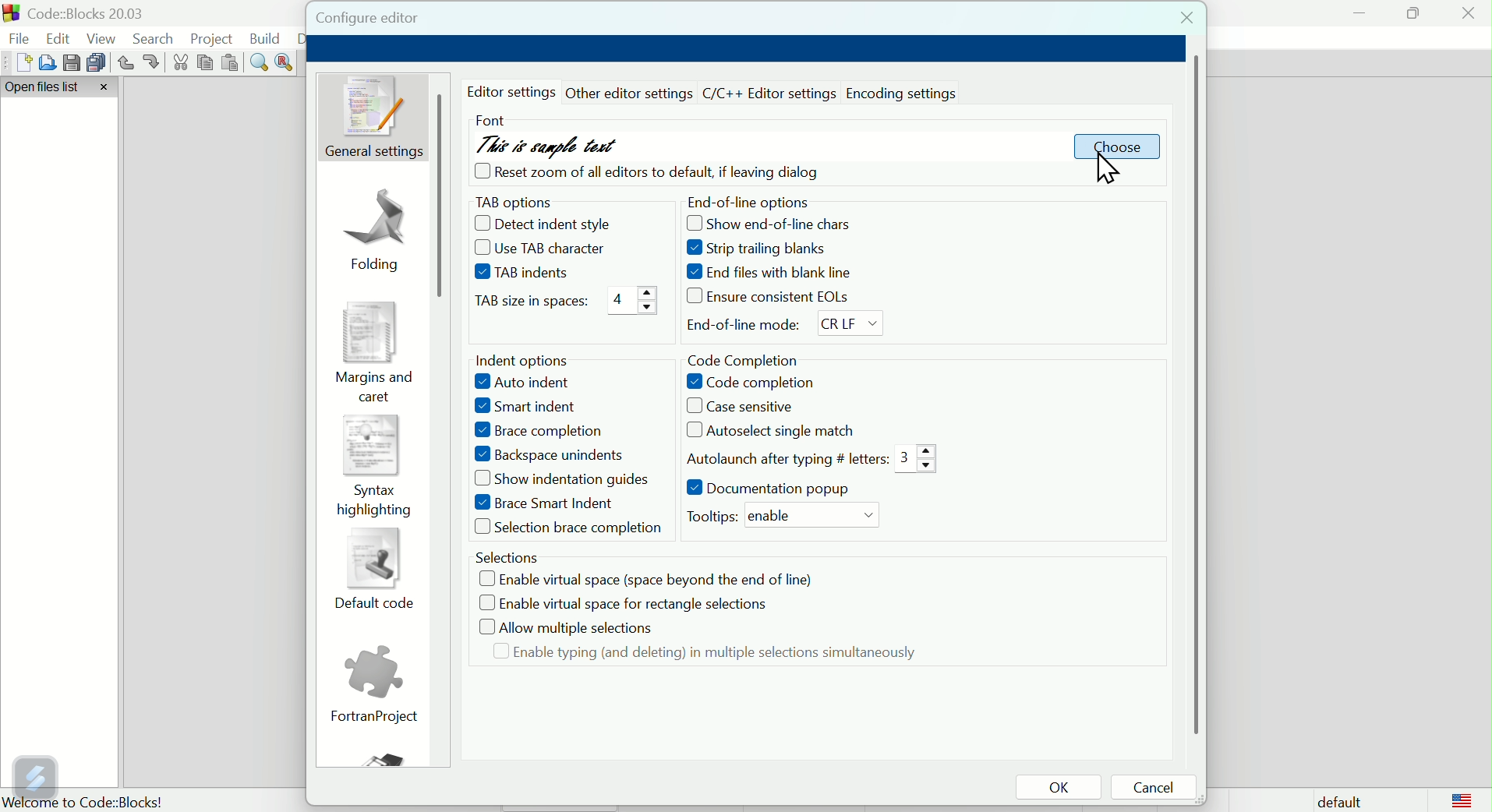  What do you see at coordinates (650, 578) in the screenshot?
I see `Enable virtual space space beyond the end of line` at bounding box center [650, 578].